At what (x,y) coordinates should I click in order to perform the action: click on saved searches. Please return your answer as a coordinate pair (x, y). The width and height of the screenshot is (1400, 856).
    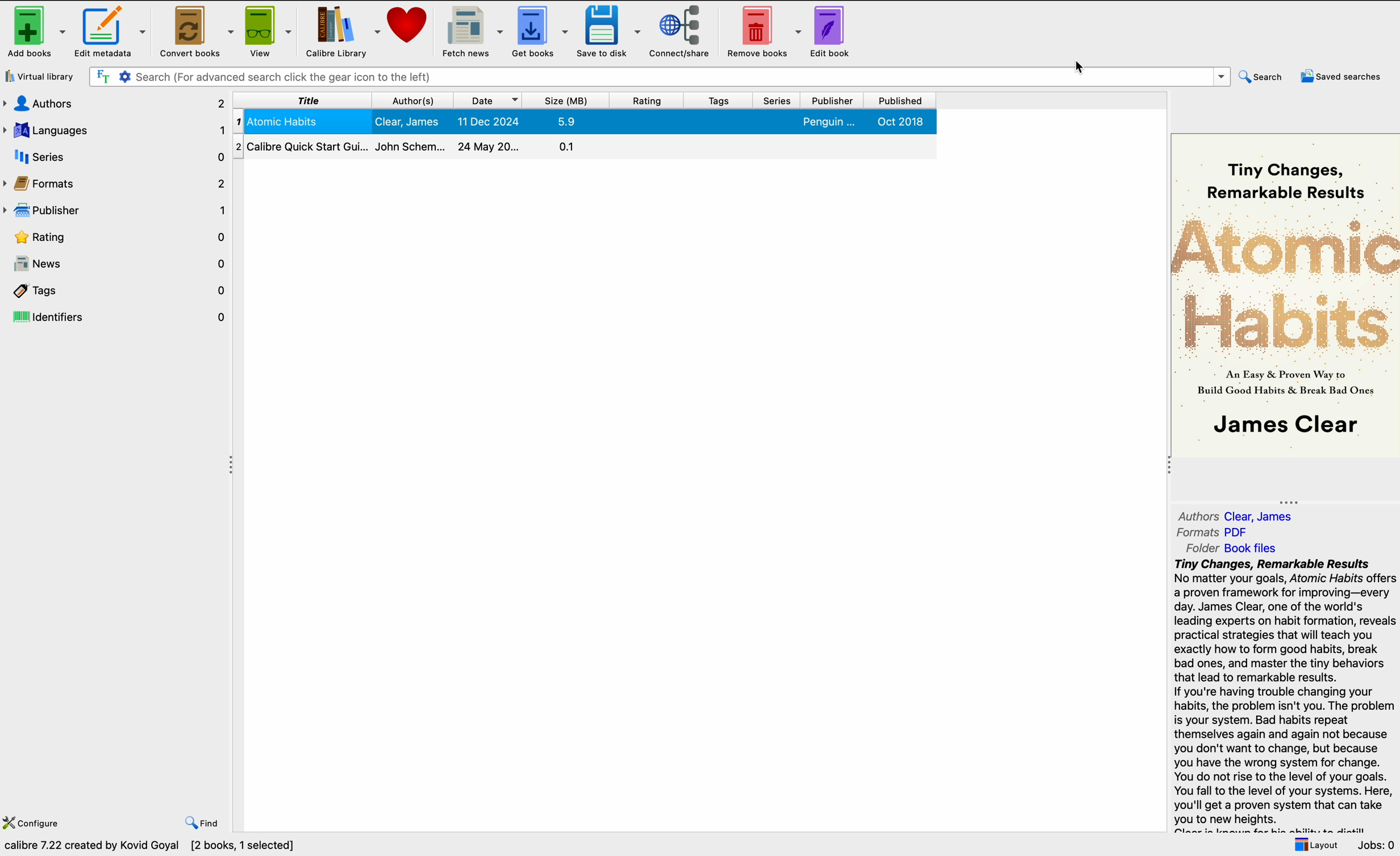
    Looking at the image, I should click on (1343, 75).